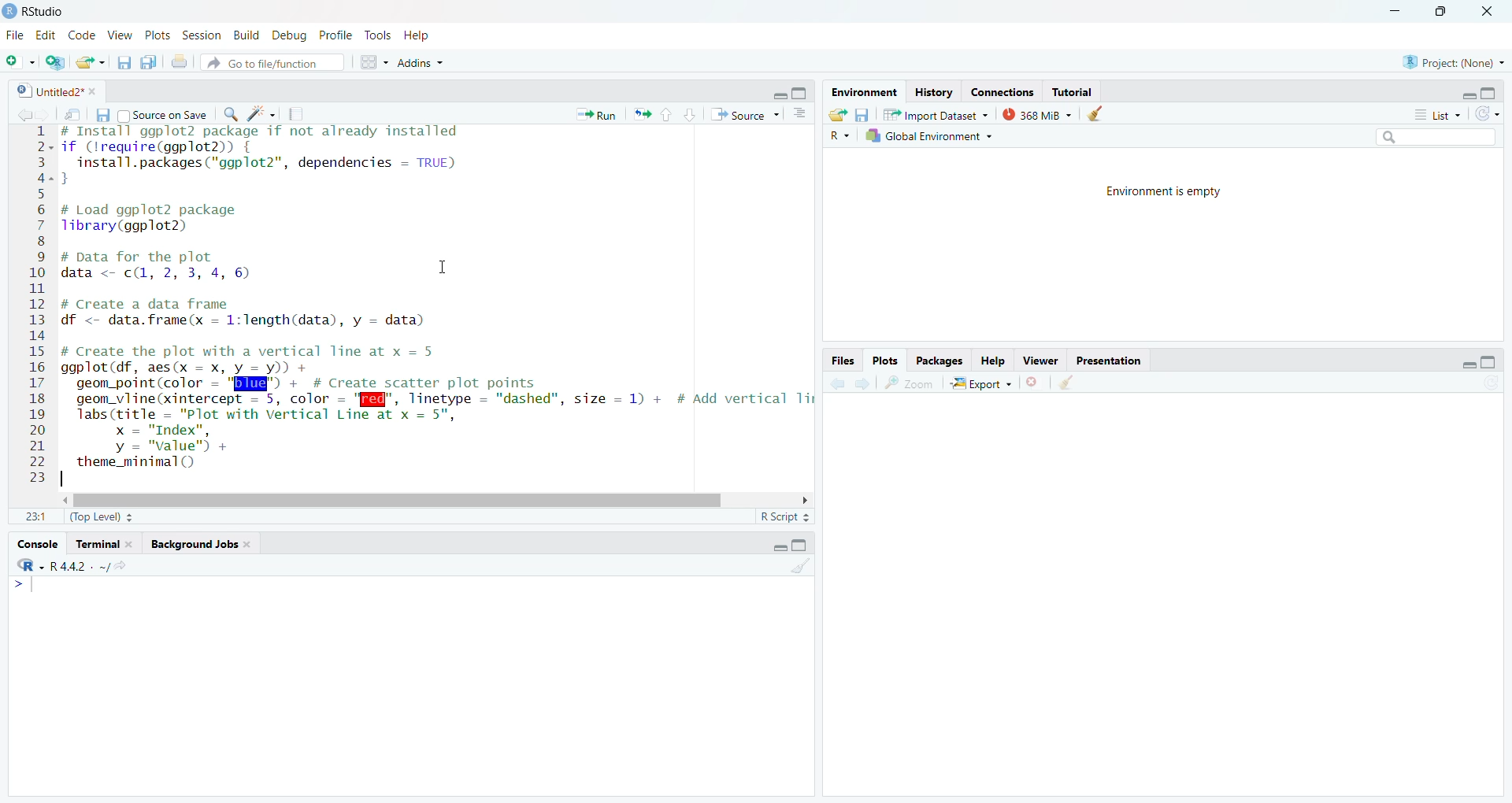  What do you see at coordinates (693, 117) in the screenshot?
I see `downward` at bounding box center [693, 117].